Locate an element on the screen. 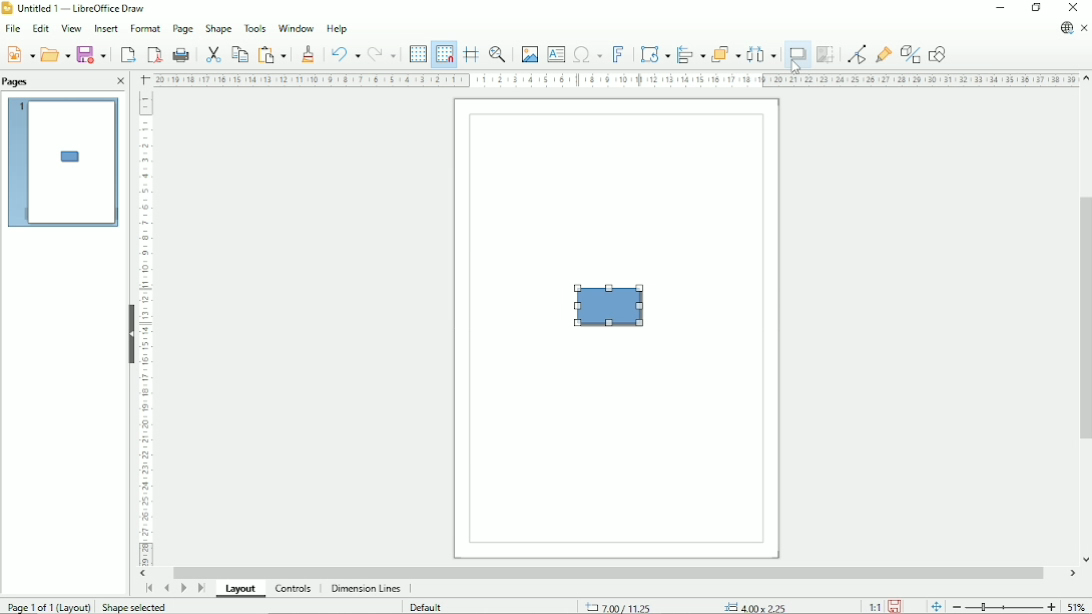 This screenshot has width=1092, height=614. Snap to grid is located at coordinates (444, 54).